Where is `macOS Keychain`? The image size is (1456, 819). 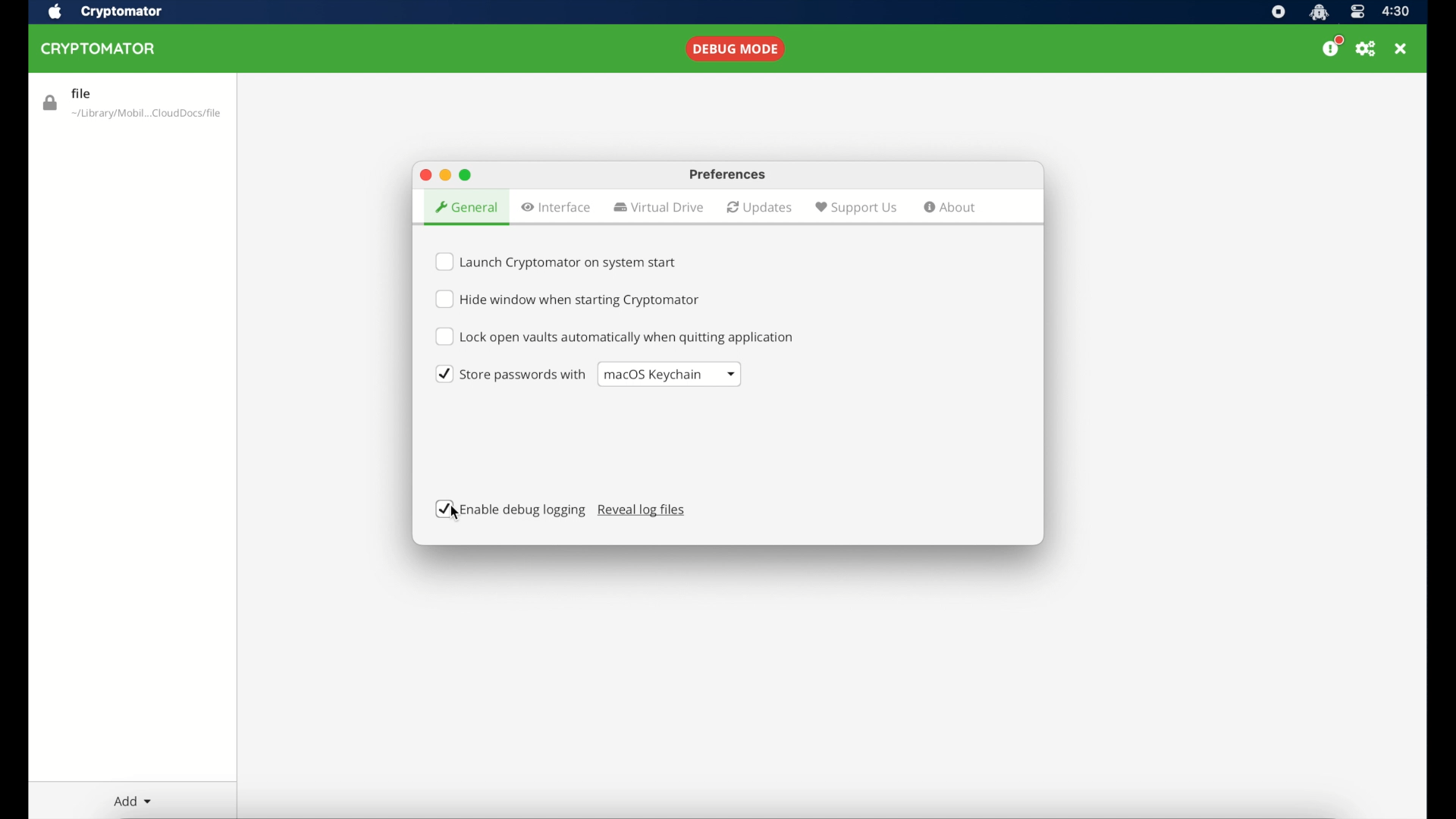 macOS Keychain is located at coordinates (670, 374).